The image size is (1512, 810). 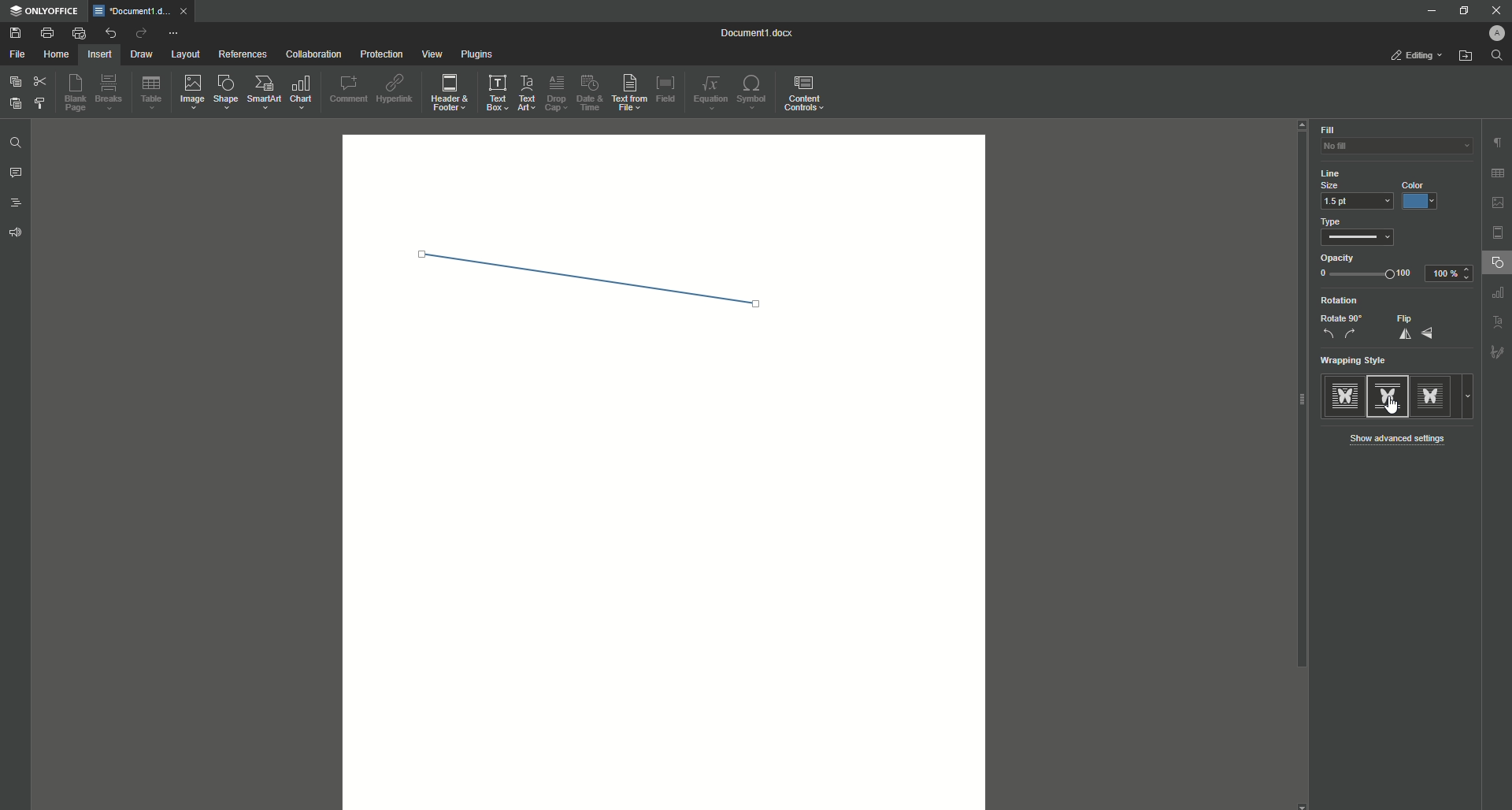 What do you see at coordinates (711, 92) in the screenshot?
I see `Equation` at bounding box center [711, 92].